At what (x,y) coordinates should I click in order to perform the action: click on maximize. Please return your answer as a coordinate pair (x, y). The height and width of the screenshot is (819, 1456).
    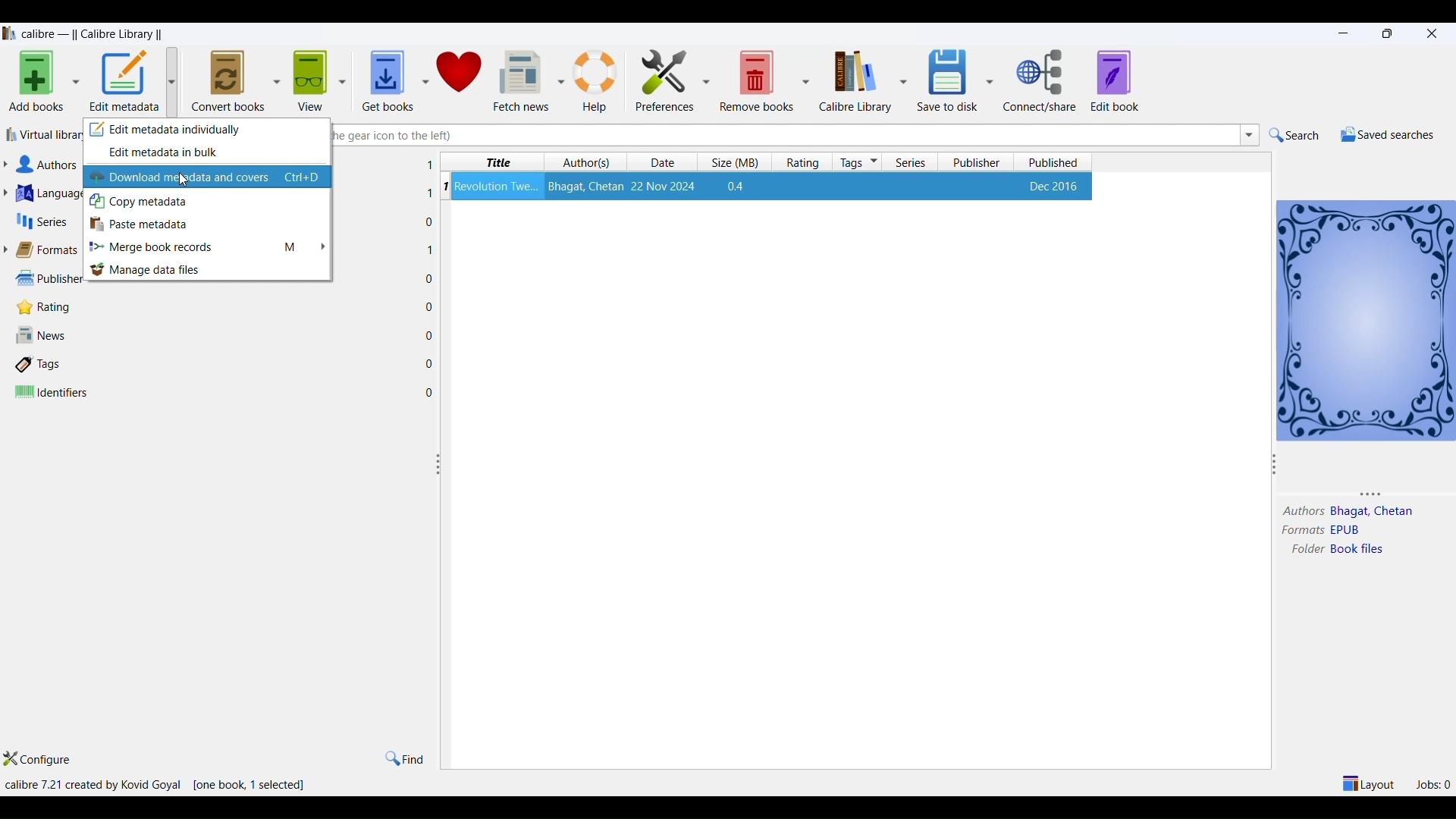
    Looking at the image, I should click on (1385, 33).